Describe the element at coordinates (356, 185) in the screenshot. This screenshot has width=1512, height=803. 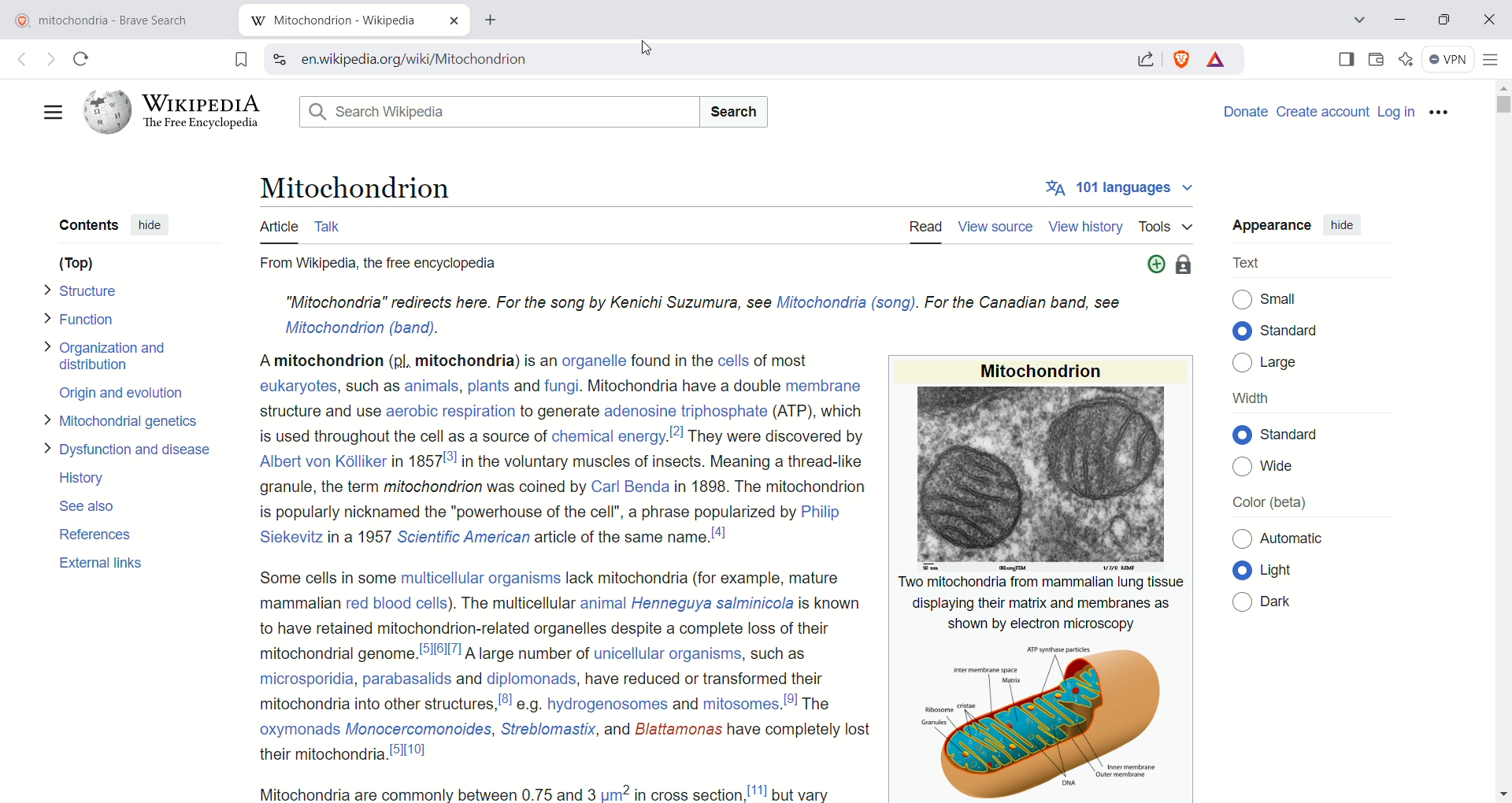
I see `Mitochondrion` at that location.